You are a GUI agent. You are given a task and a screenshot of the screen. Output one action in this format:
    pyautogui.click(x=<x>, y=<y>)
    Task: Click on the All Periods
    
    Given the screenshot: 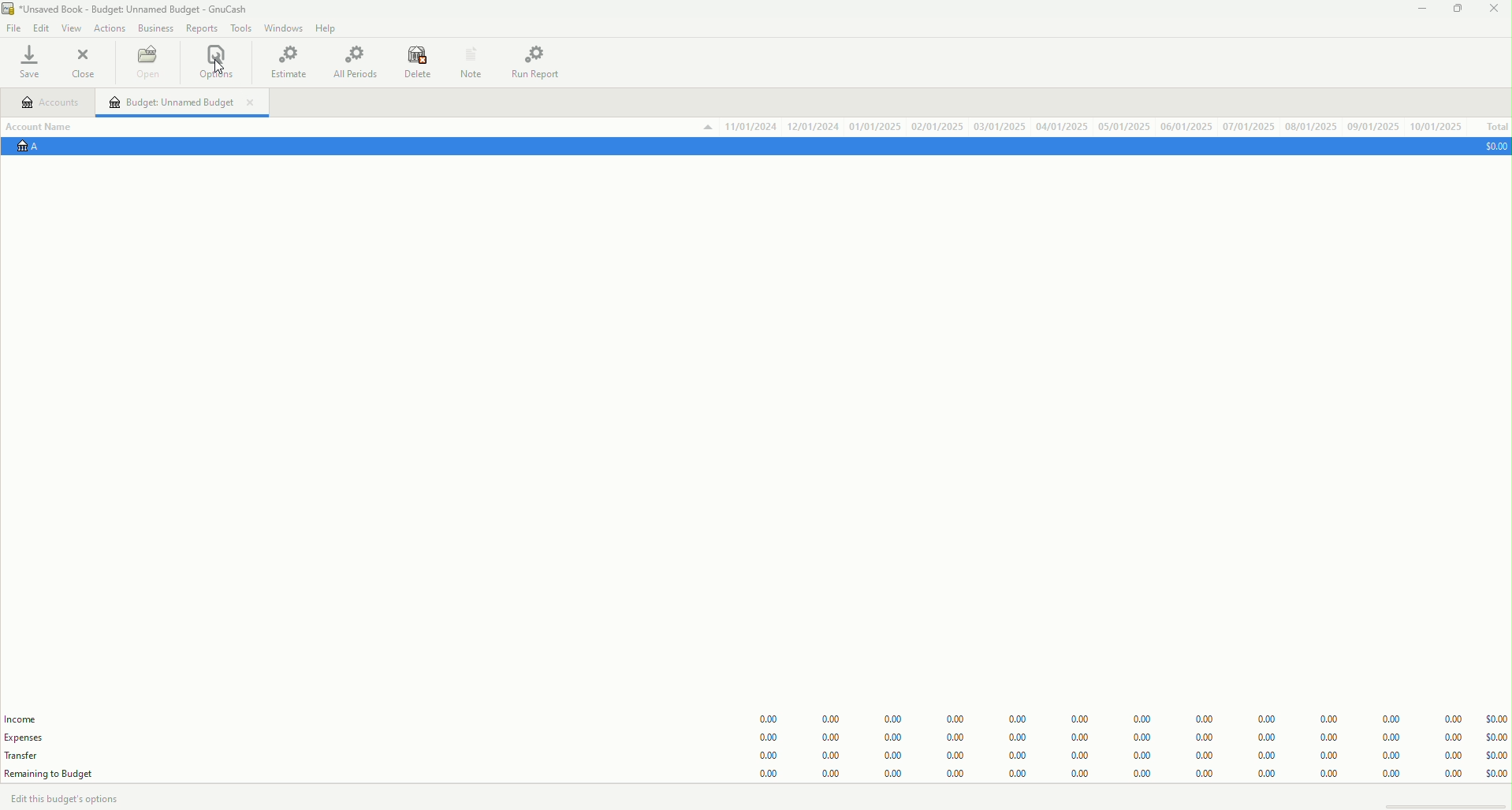 What is the action you would take?
    pyautogui.click(x=355, y=63)
    